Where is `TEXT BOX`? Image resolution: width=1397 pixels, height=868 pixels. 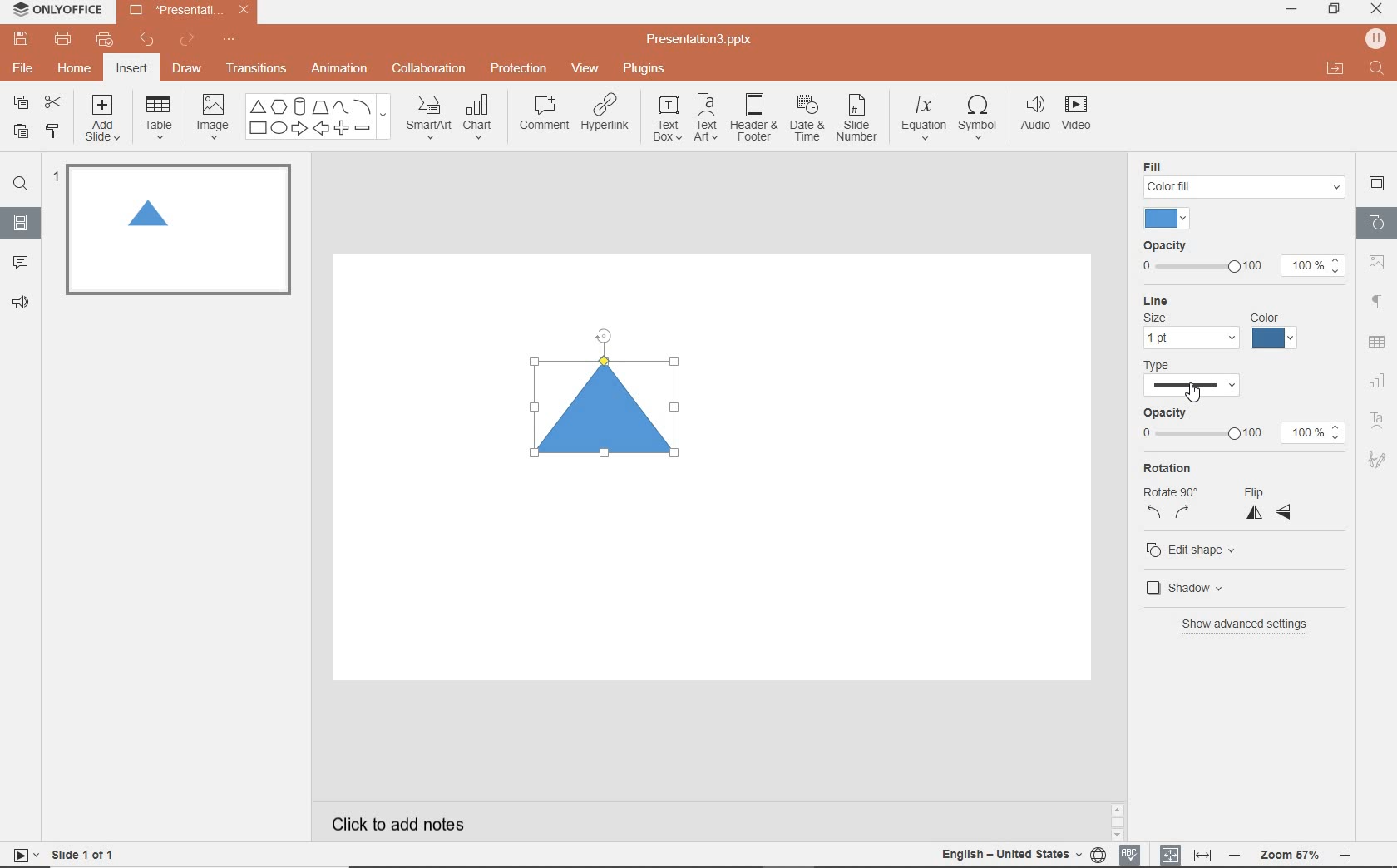 TEXT BOX is located at coordinates (666, 118).